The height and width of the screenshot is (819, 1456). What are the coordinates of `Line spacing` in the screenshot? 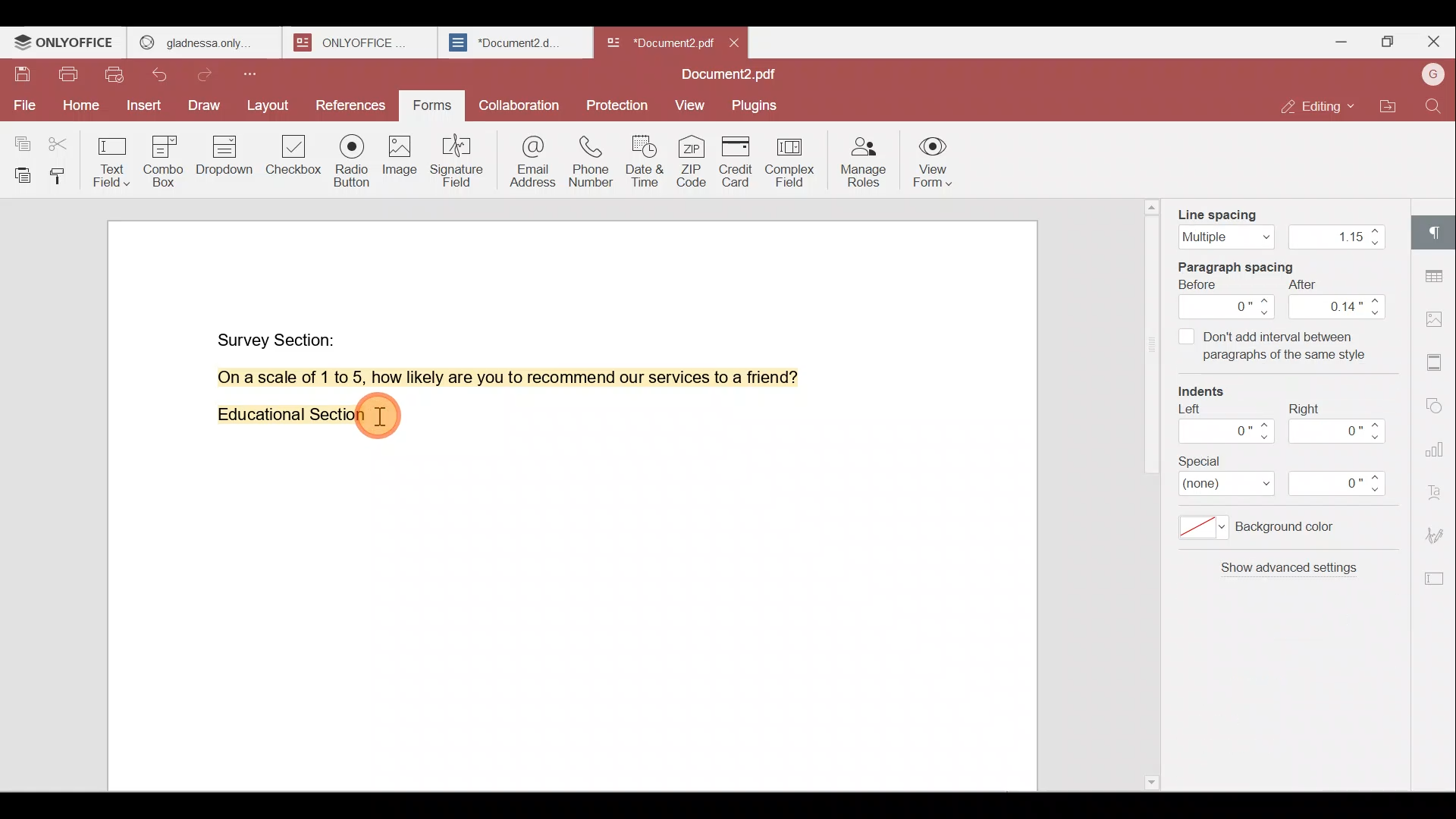 It's located at (1279, 224).